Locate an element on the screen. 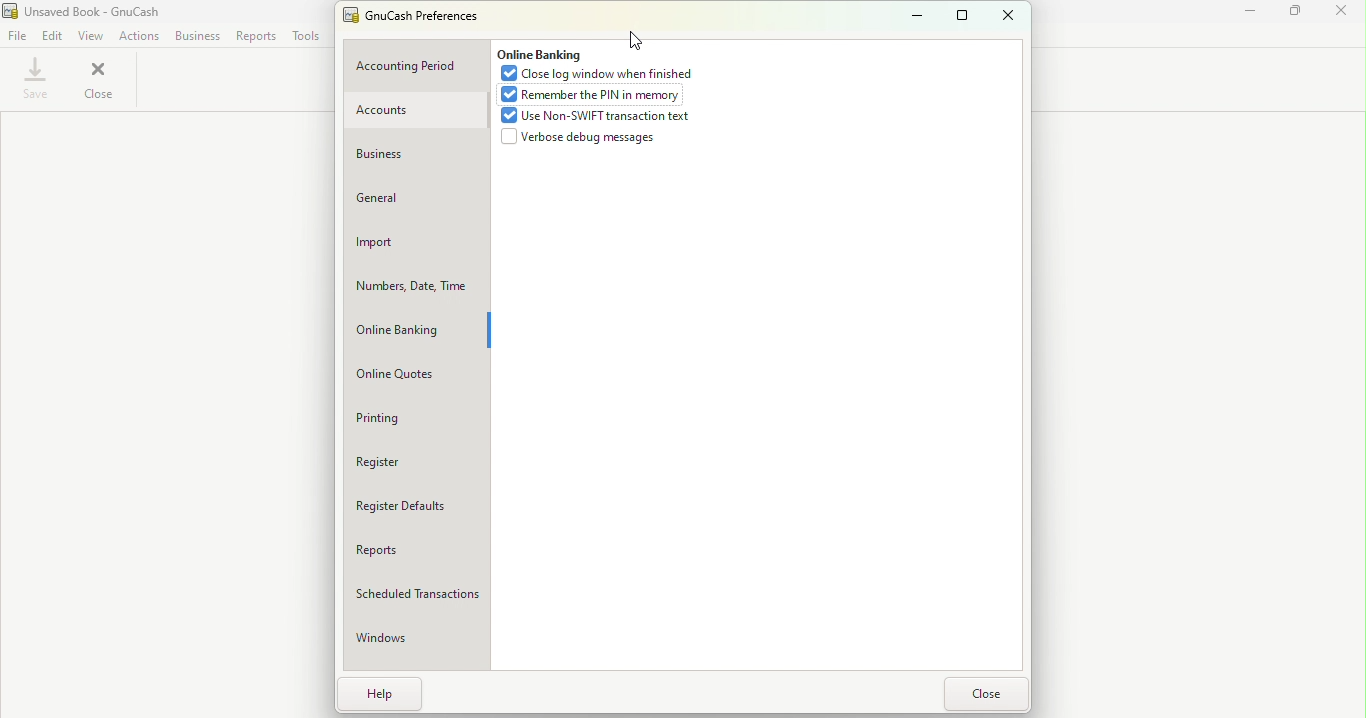  Numbers, date, time is located at coordinates (411, 287).